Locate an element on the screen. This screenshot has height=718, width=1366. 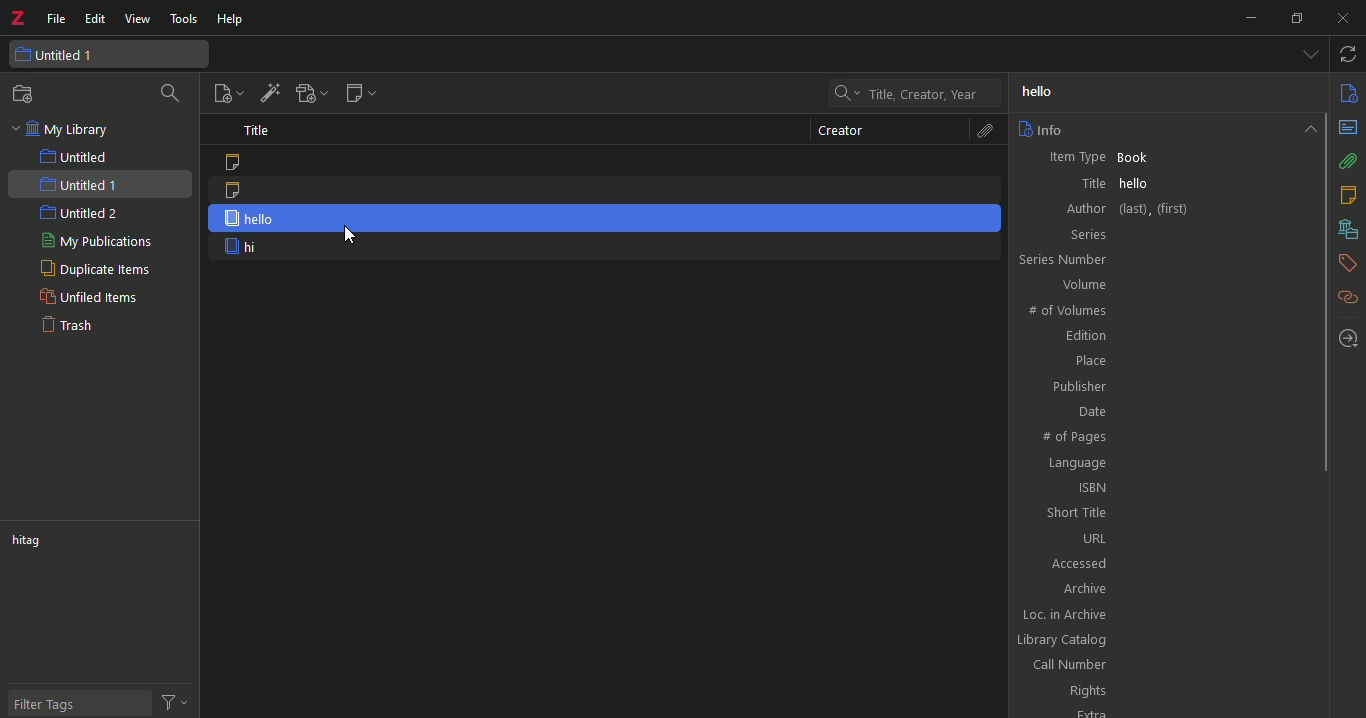
maximize is located at coordinates (1296, 20).